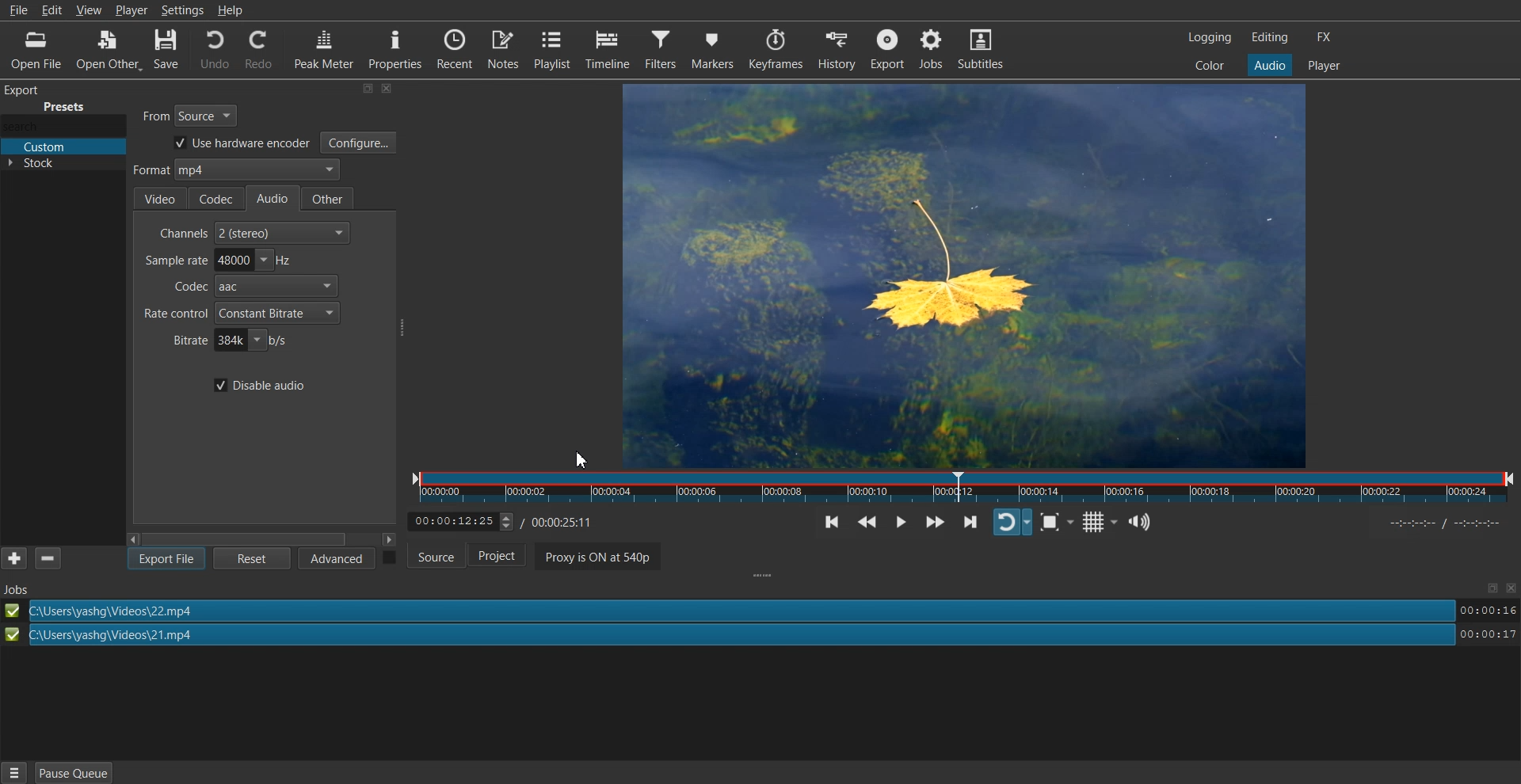 The width and height of the screenshot is (1521, 784). What do you see at coordinates (21, 588) in the screenshot?
I see `Text` at bounding box center [21, 588].